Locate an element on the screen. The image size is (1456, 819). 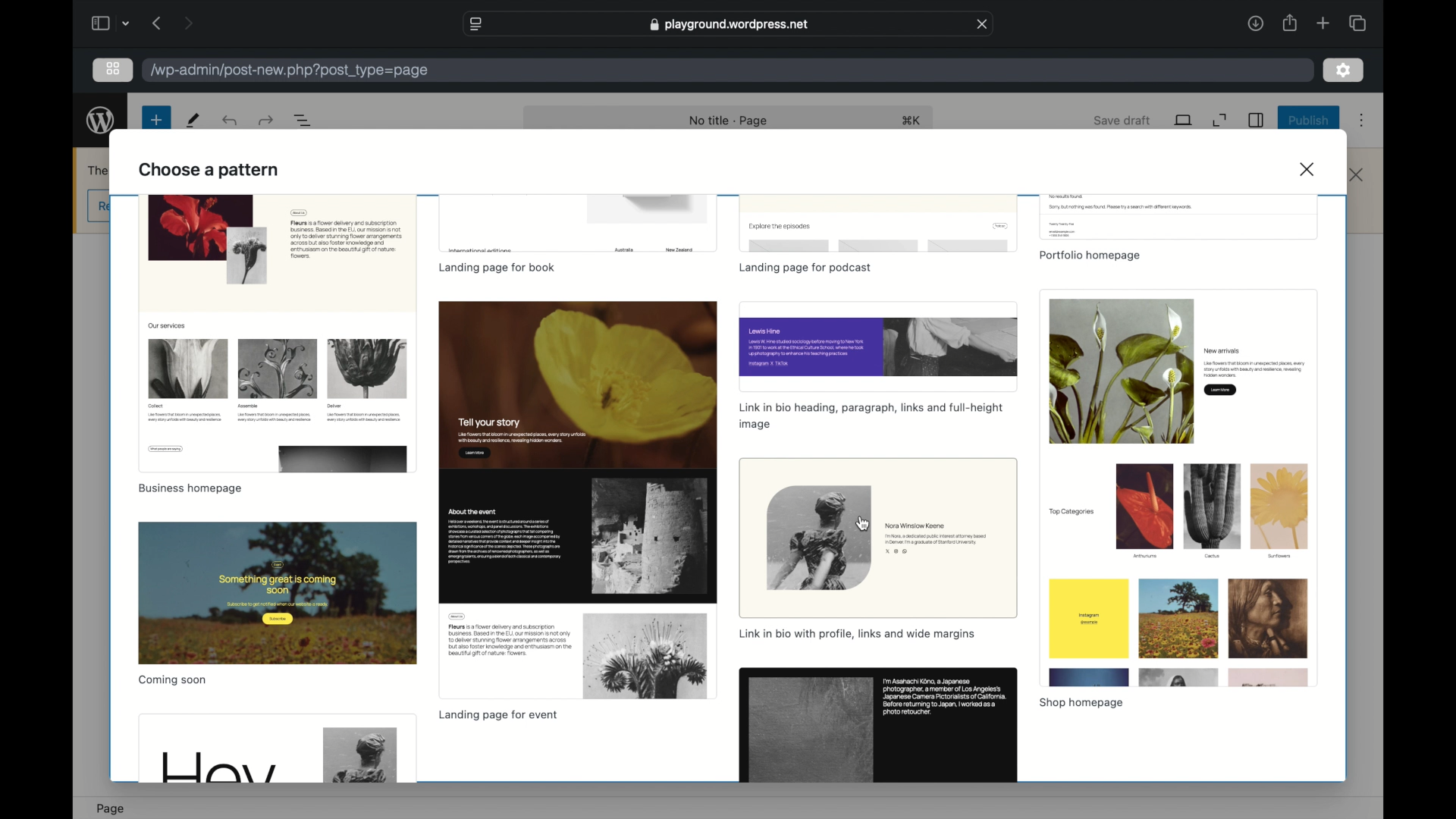
sidebar is located at coordinates (1257, 120).